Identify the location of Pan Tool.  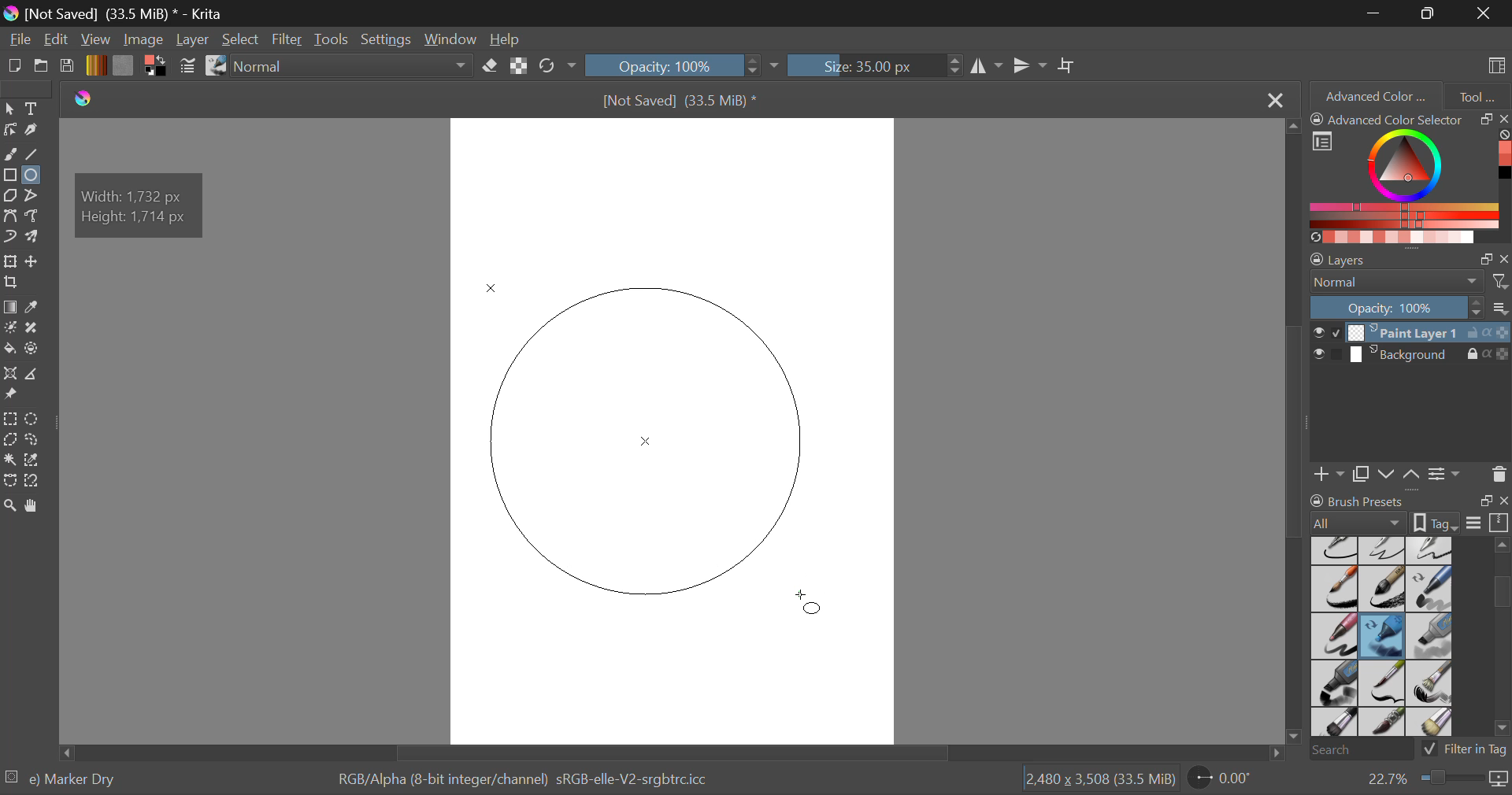
(35, 505).